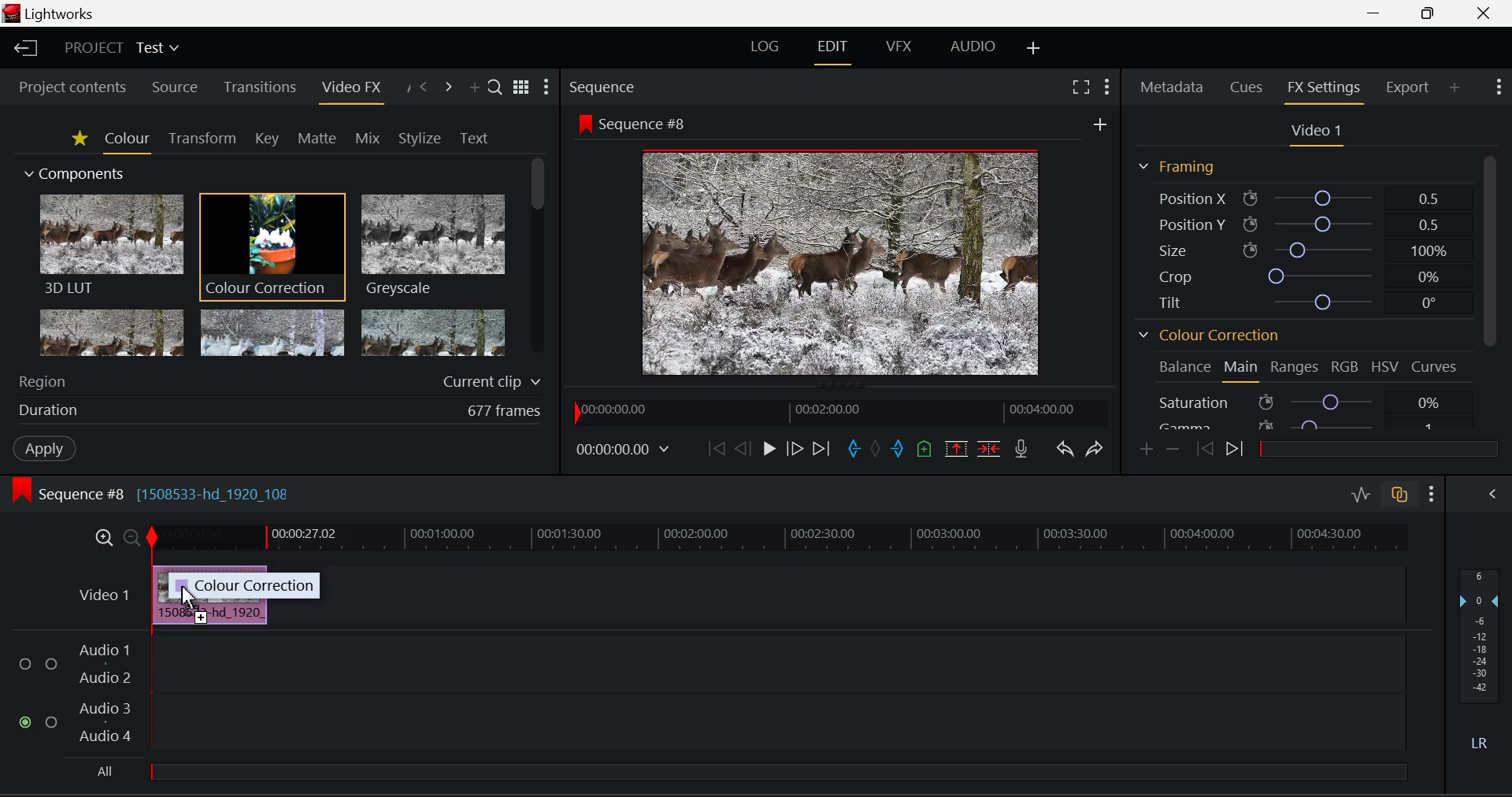 The image size is (1512, 797). What do you see at coordinates (854, 451) in the screenshot?
I see `Mark In` at bounding box center [854, 451].